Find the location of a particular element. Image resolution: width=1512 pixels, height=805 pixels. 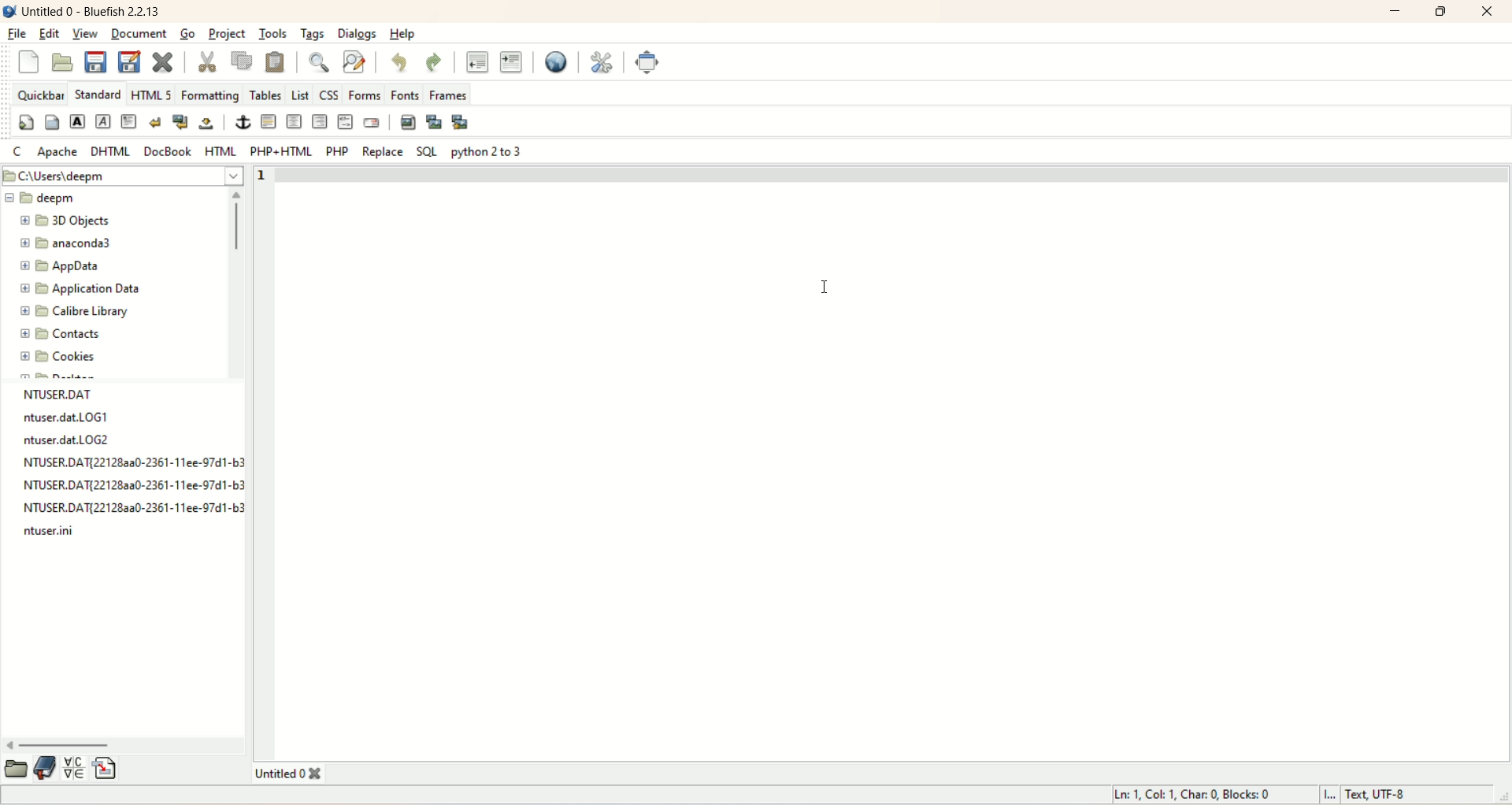

indent is located at coordinates (513, 61).